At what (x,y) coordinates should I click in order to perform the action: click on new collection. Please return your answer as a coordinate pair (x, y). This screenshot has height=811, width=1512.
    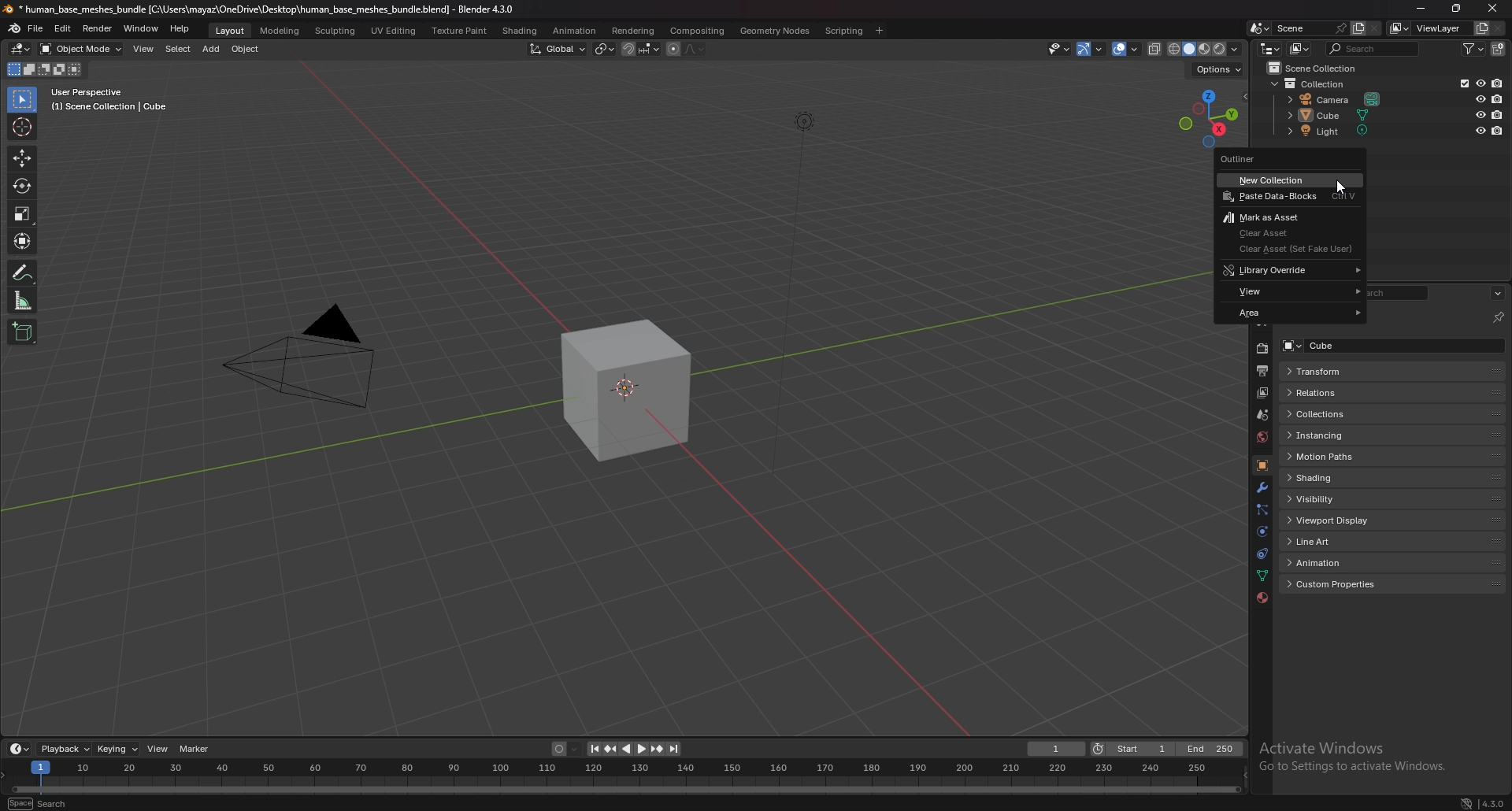
    Looking at the image, I should click on (1291, 180).